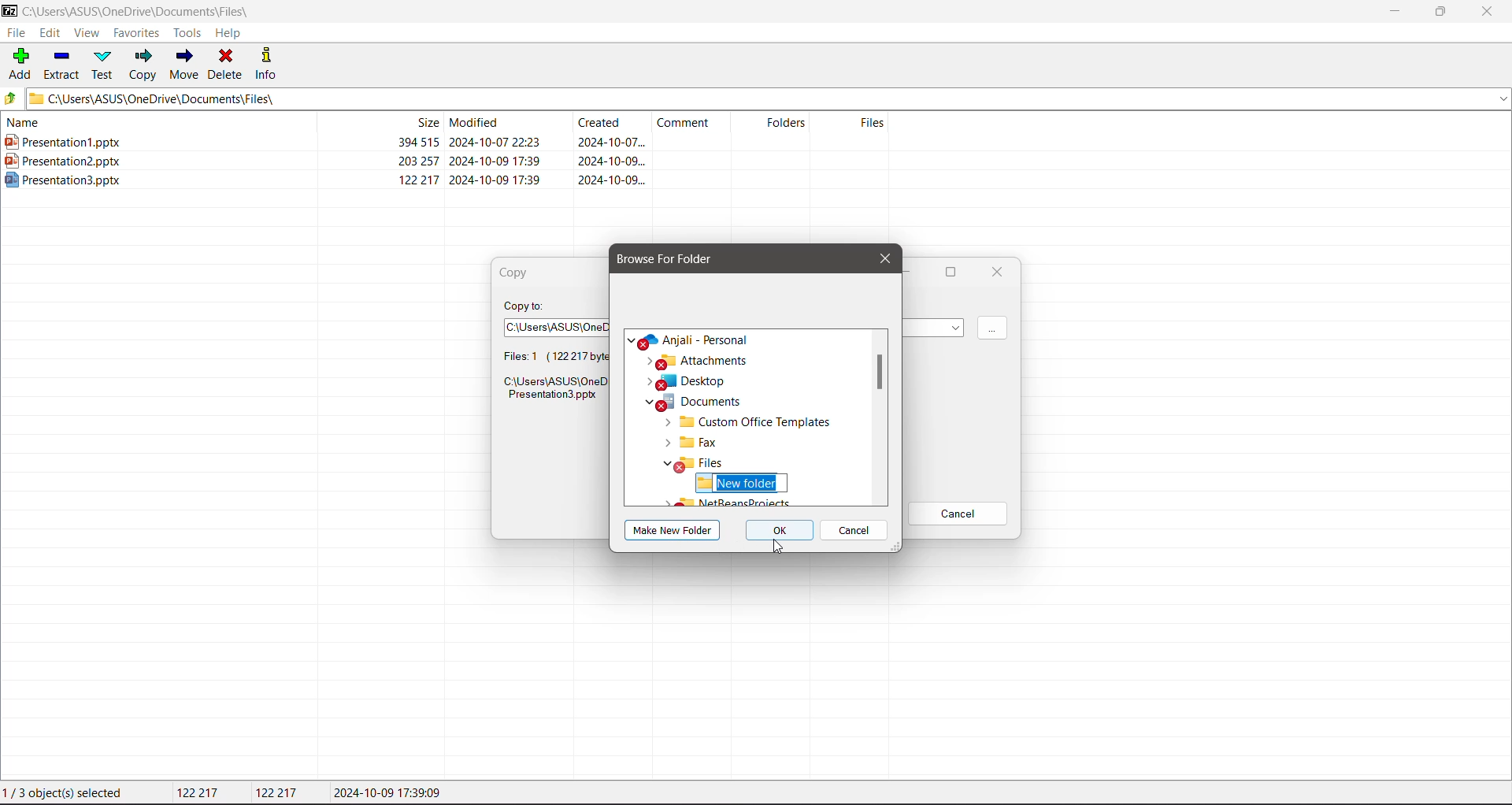 The image size is (1512, 805). What do you see at coordinates (880, 375) in the screenshot?
I see `Vertical Scroll Bar` at bounding box center [880, 375].